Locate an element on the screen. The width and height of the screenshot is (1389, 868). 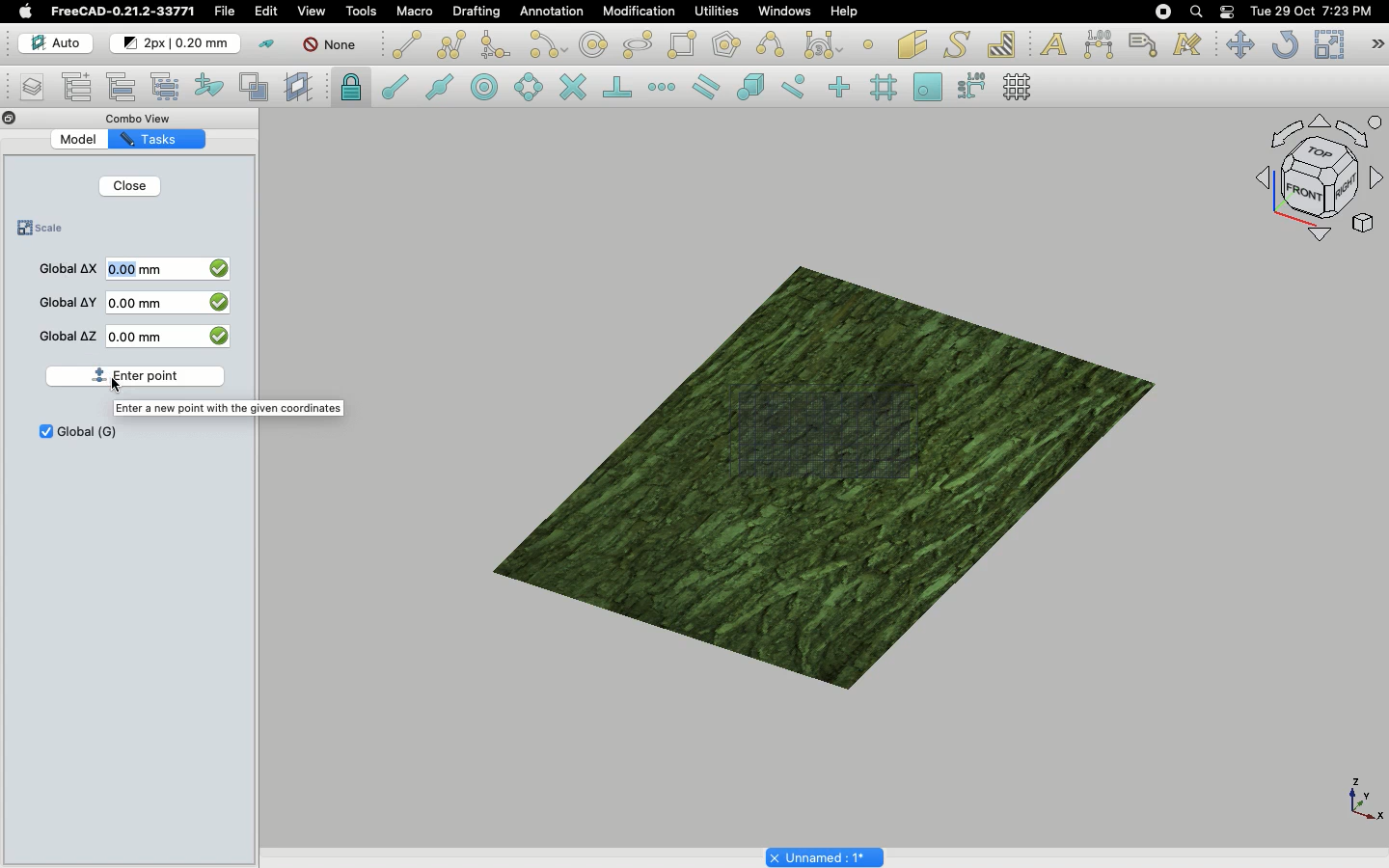
Polygon is located at coordinates (724, 45).